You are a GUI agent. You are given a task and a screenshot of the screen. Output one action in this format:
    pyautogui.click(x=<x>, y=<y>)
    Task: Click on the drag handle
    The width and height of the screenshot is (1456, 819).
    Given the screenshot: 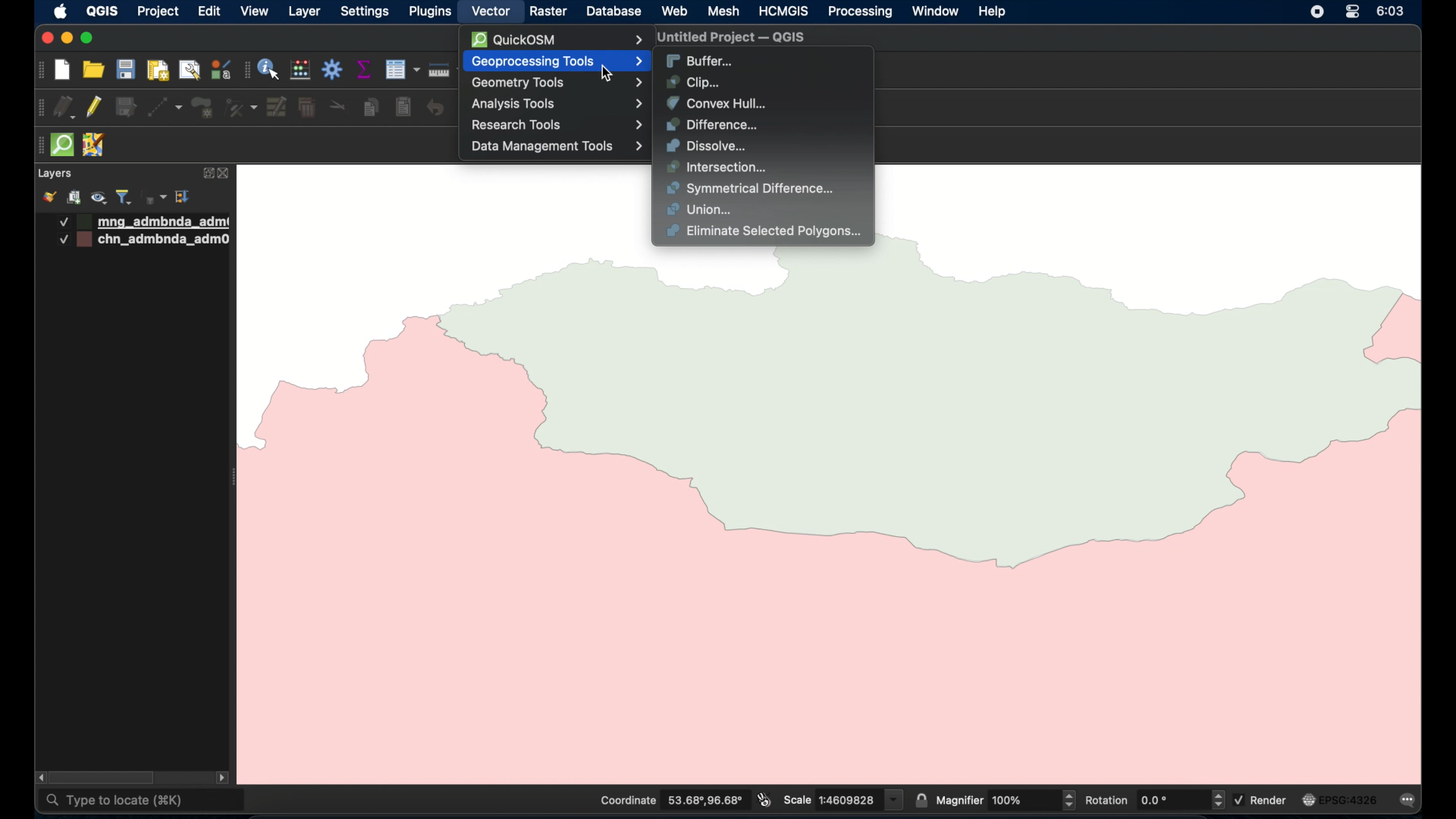 What is the action you would take?
    pyautogui.click(x=37, y=146)
    